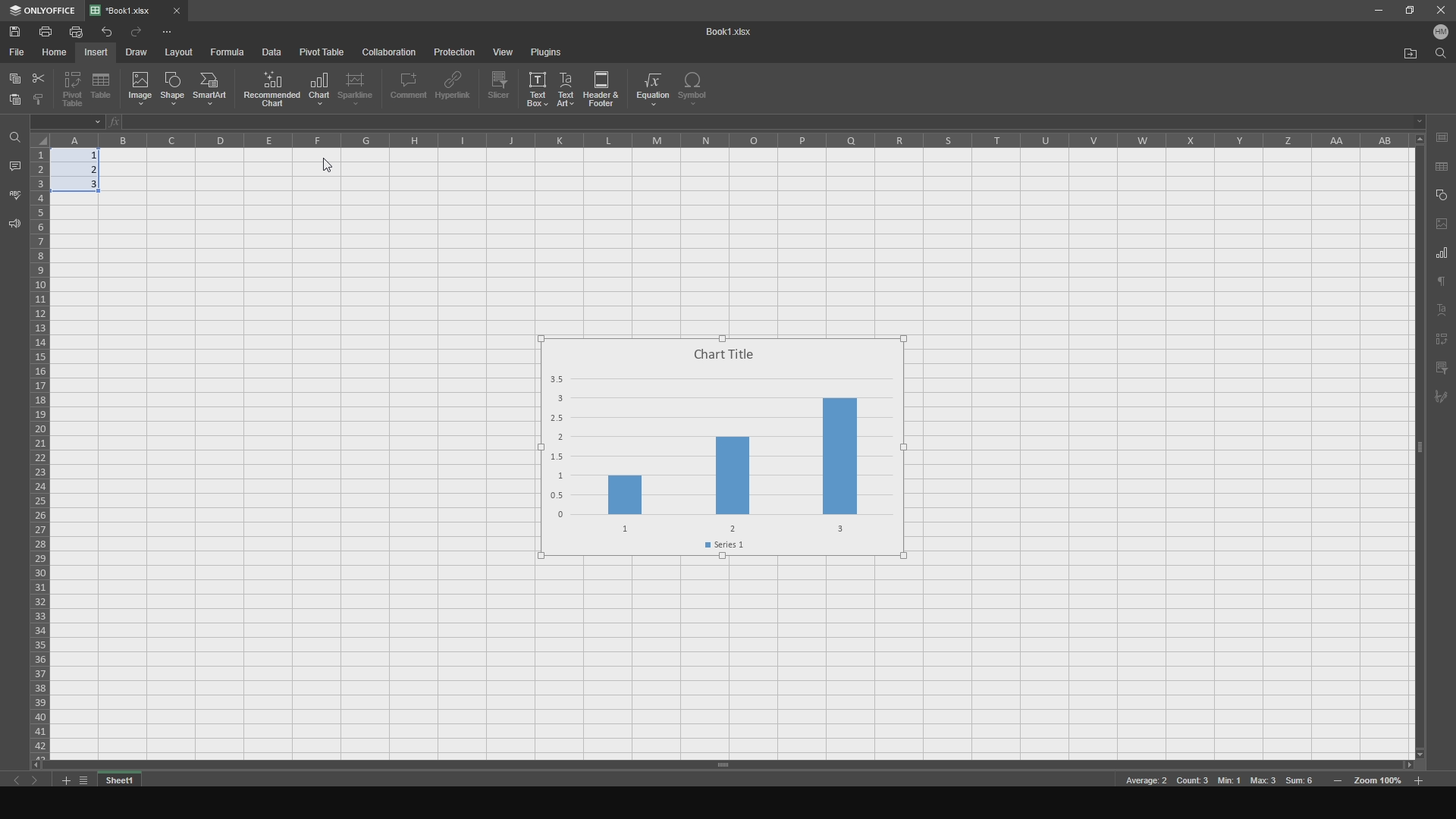 The image size is (1456, 819). Describe the element at coordinates (324, 52) in the screenshot. I see `pivot table` at that location.